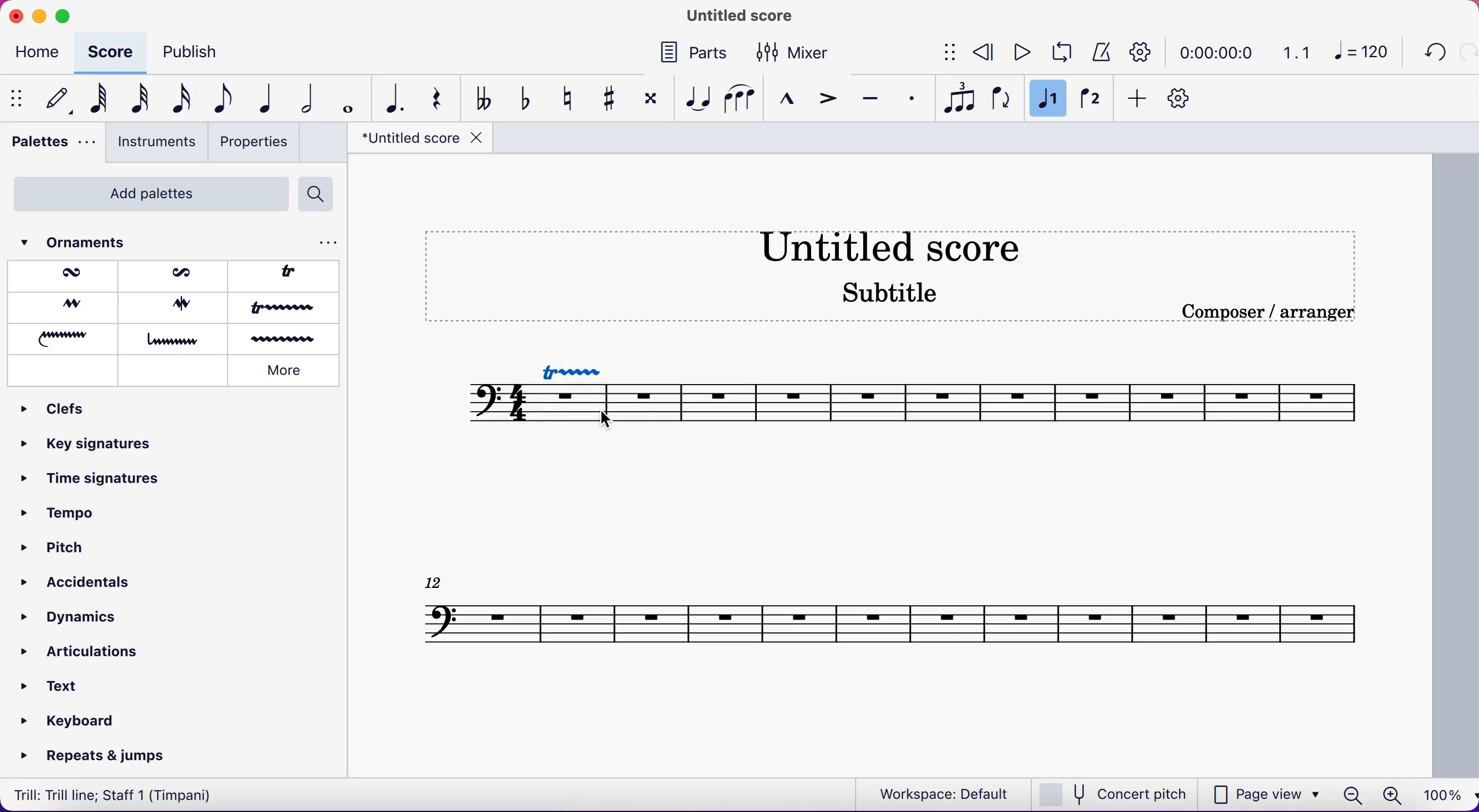 The width and height of the screenshot is (1479, 812). Describe the element at coordinates (175, 339) in the screenshot. I see `glissando (descending)` at that location.